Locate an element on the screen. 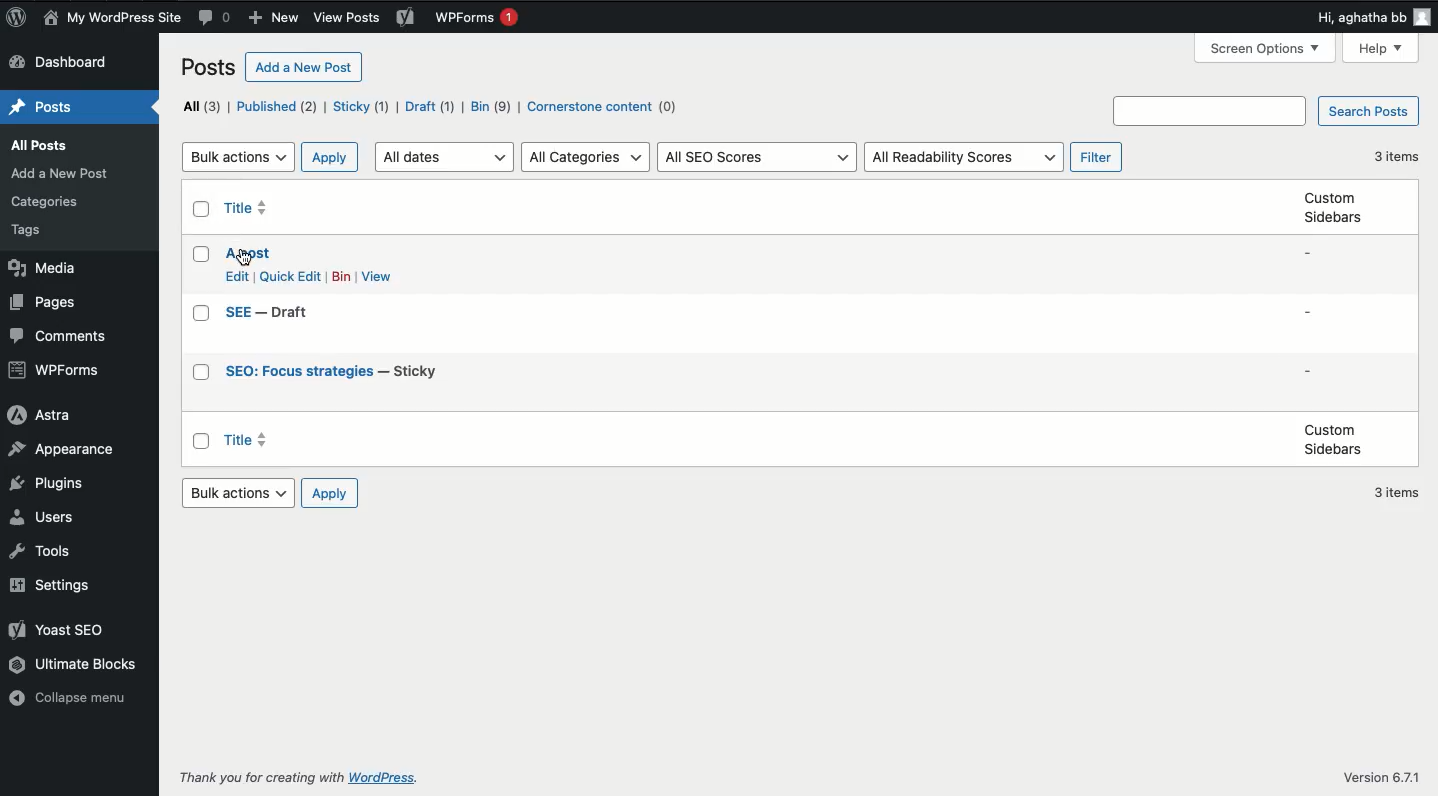  Bulk actions is located at coordinates (243, 494).